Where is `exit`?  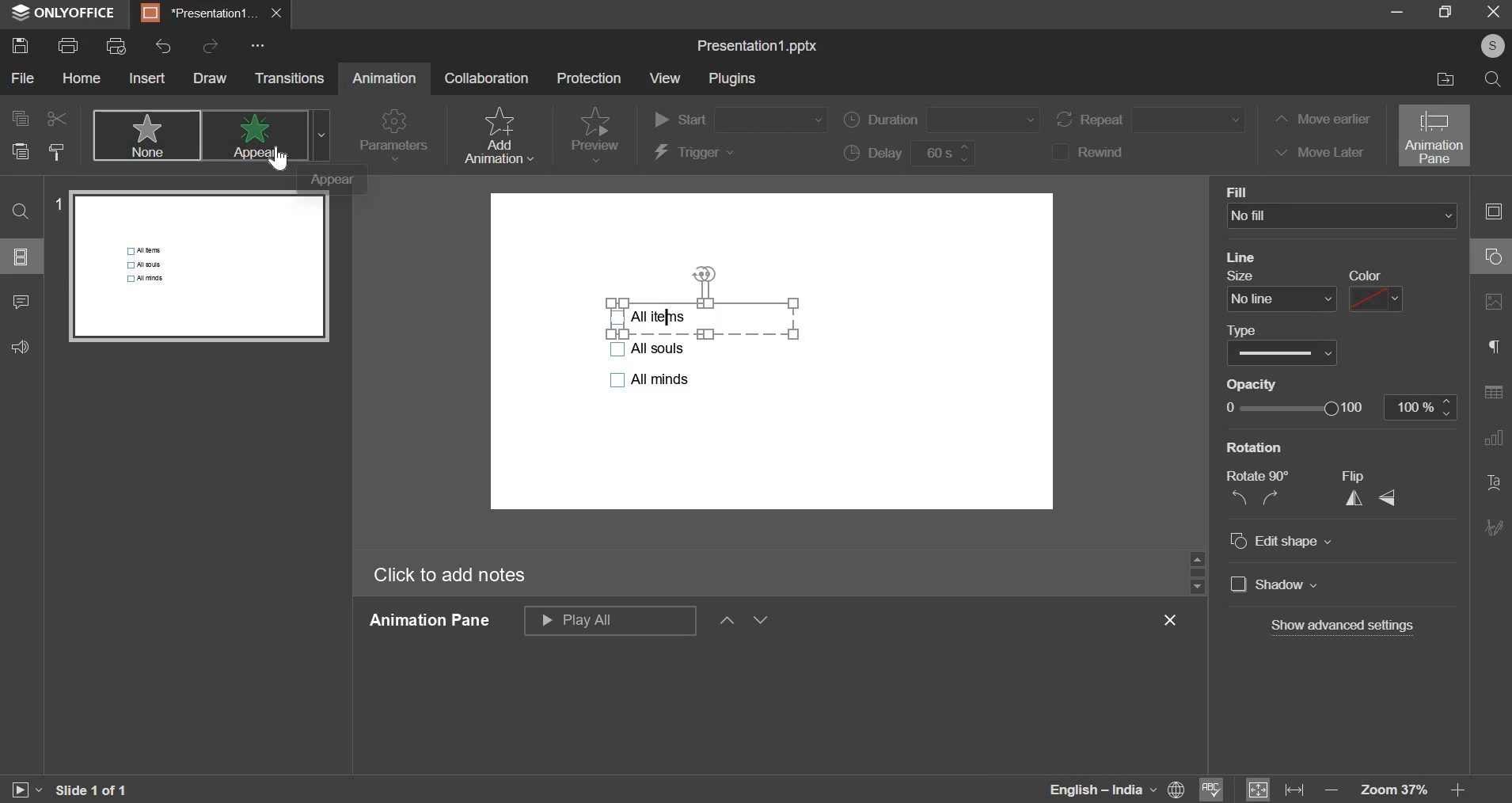
exit is located at coordinates (275, 13).